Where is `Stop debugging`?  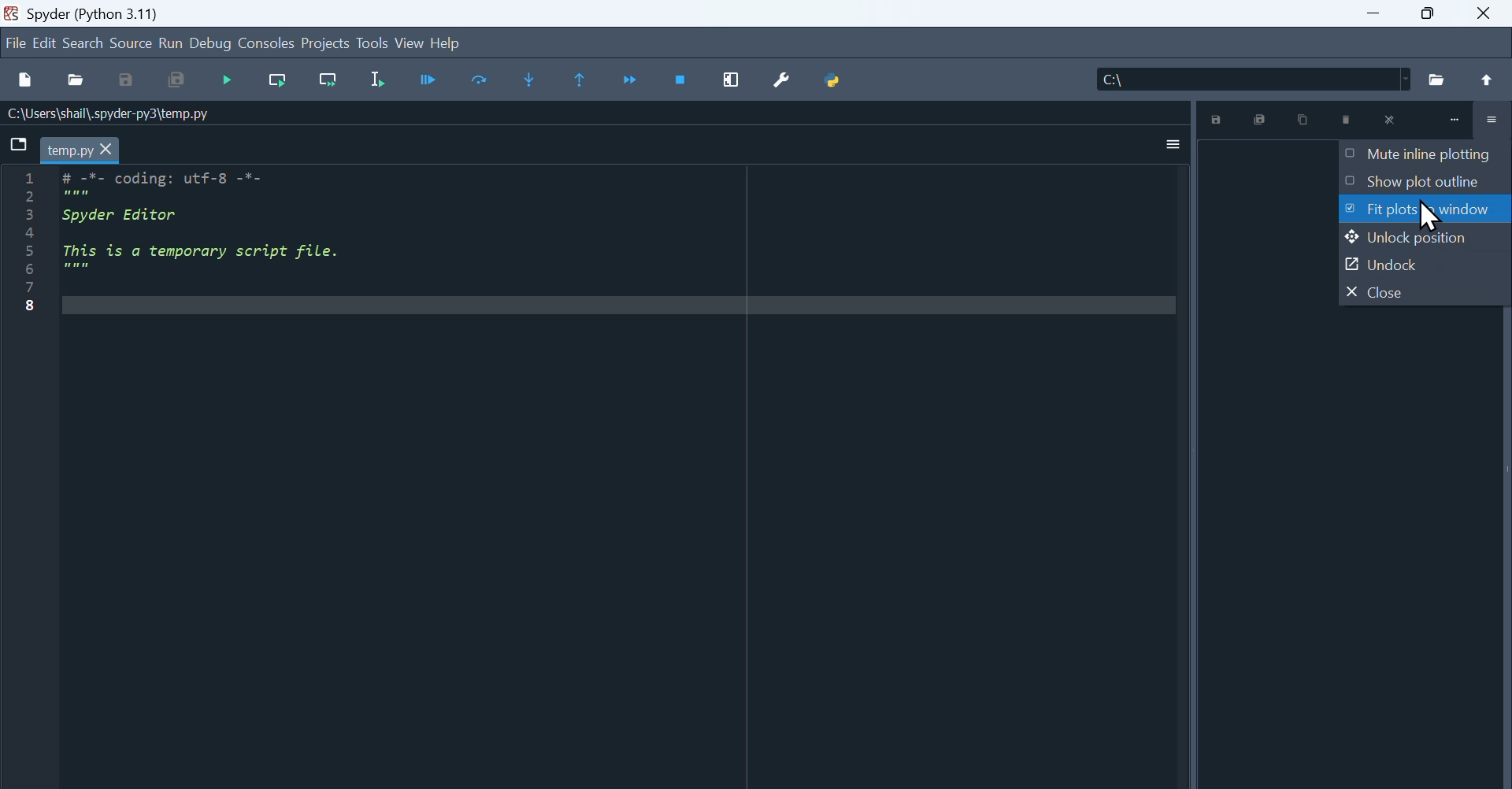
Stop debugging is located at coordinates (680, 80).